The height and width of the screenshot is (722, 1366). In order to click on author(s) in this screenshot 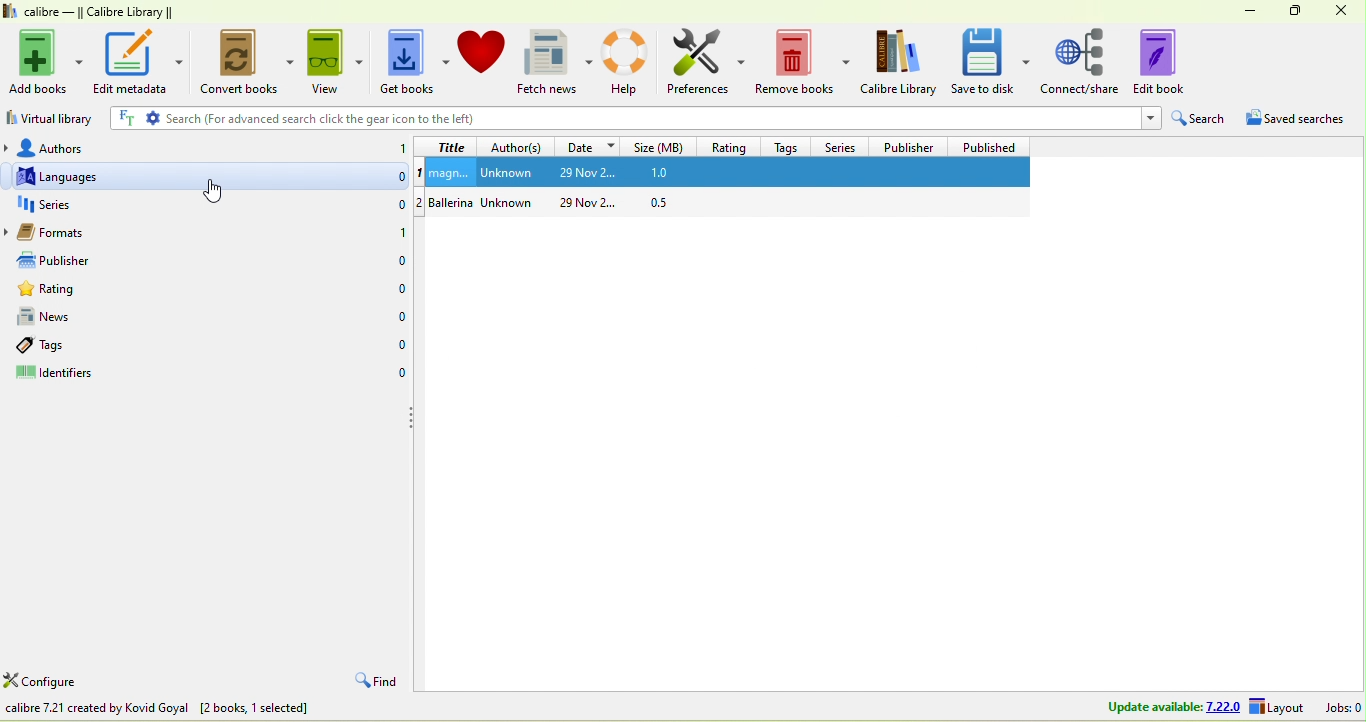, I will do `click(511, 147)`.